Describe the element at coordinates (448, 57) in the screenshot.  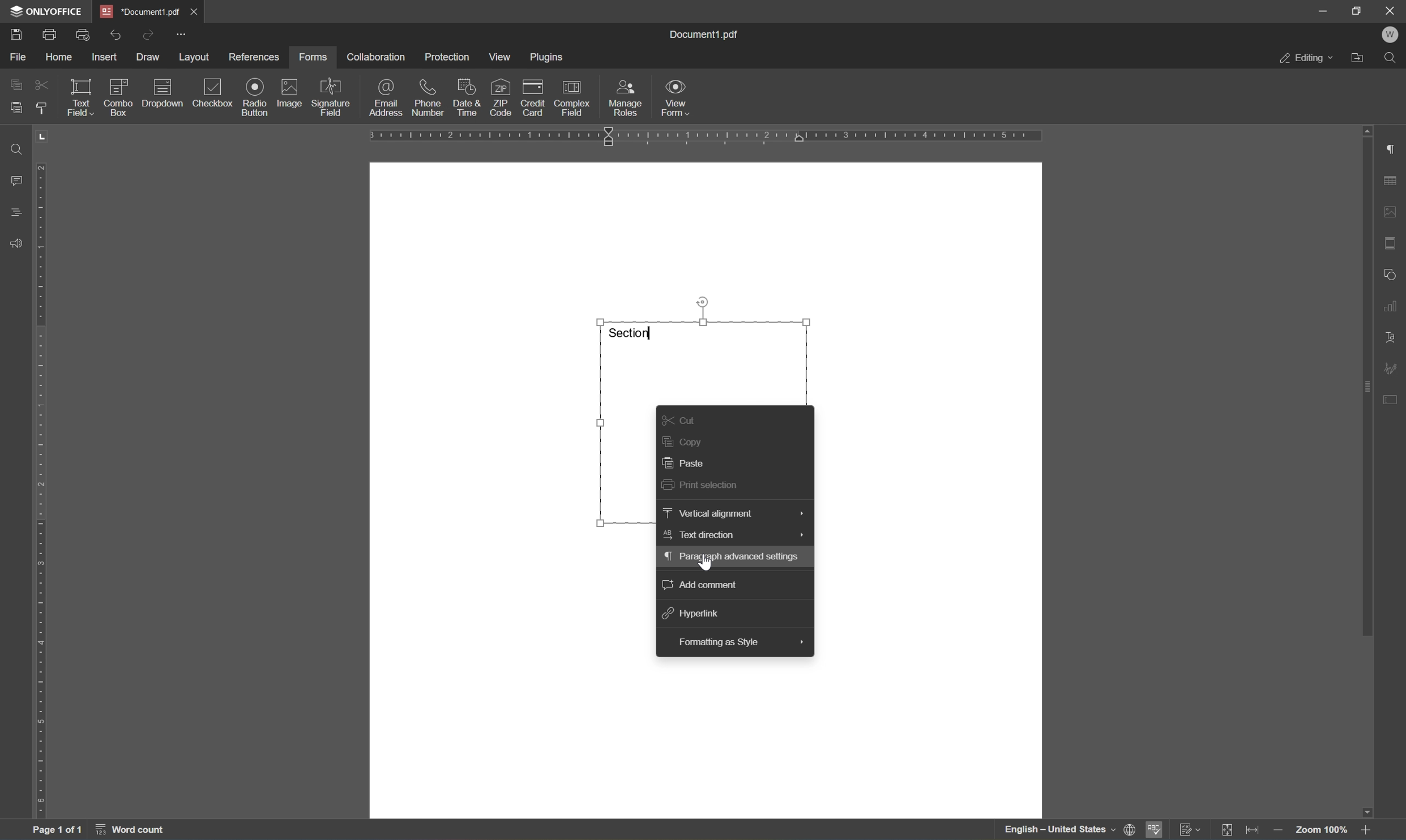
I see `protection` at that location.